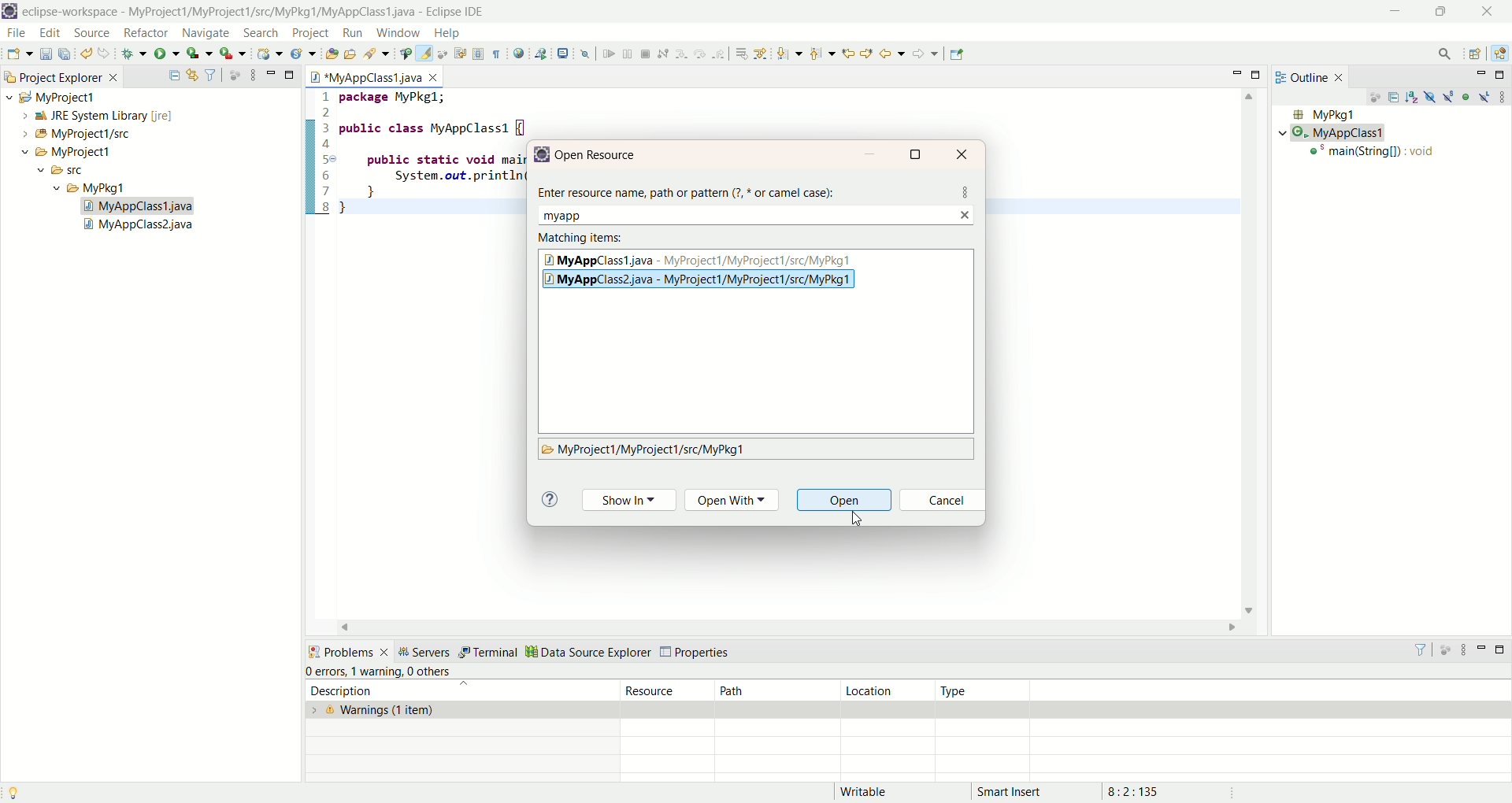 This screenshot has width=1512, height=803. Describe the element at coordinates (60, 76) in the screenshot. I see `project explorer` at that location.